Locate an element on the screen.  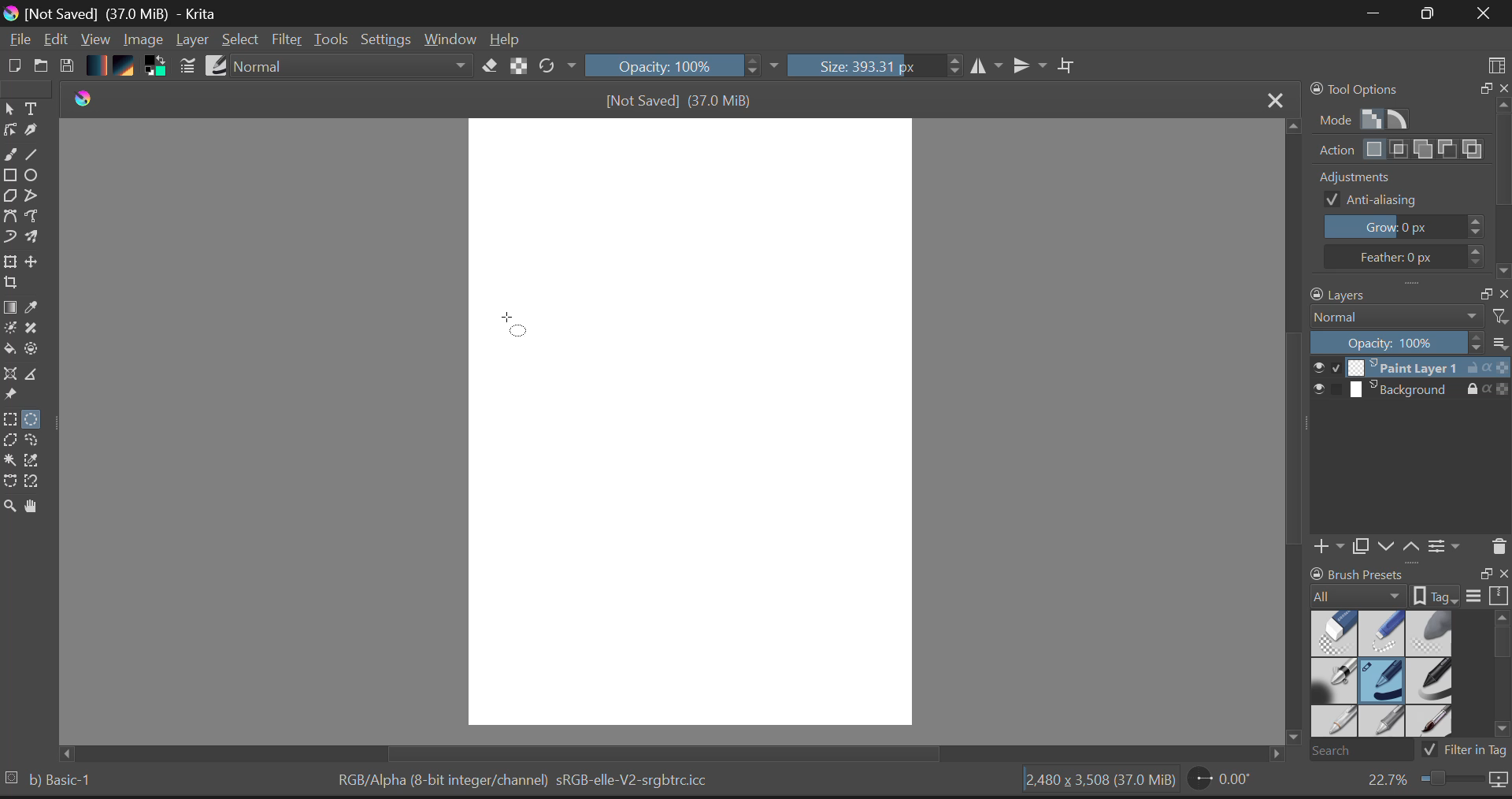
Colorize Mask Tool is located at coordinates (9, 329).